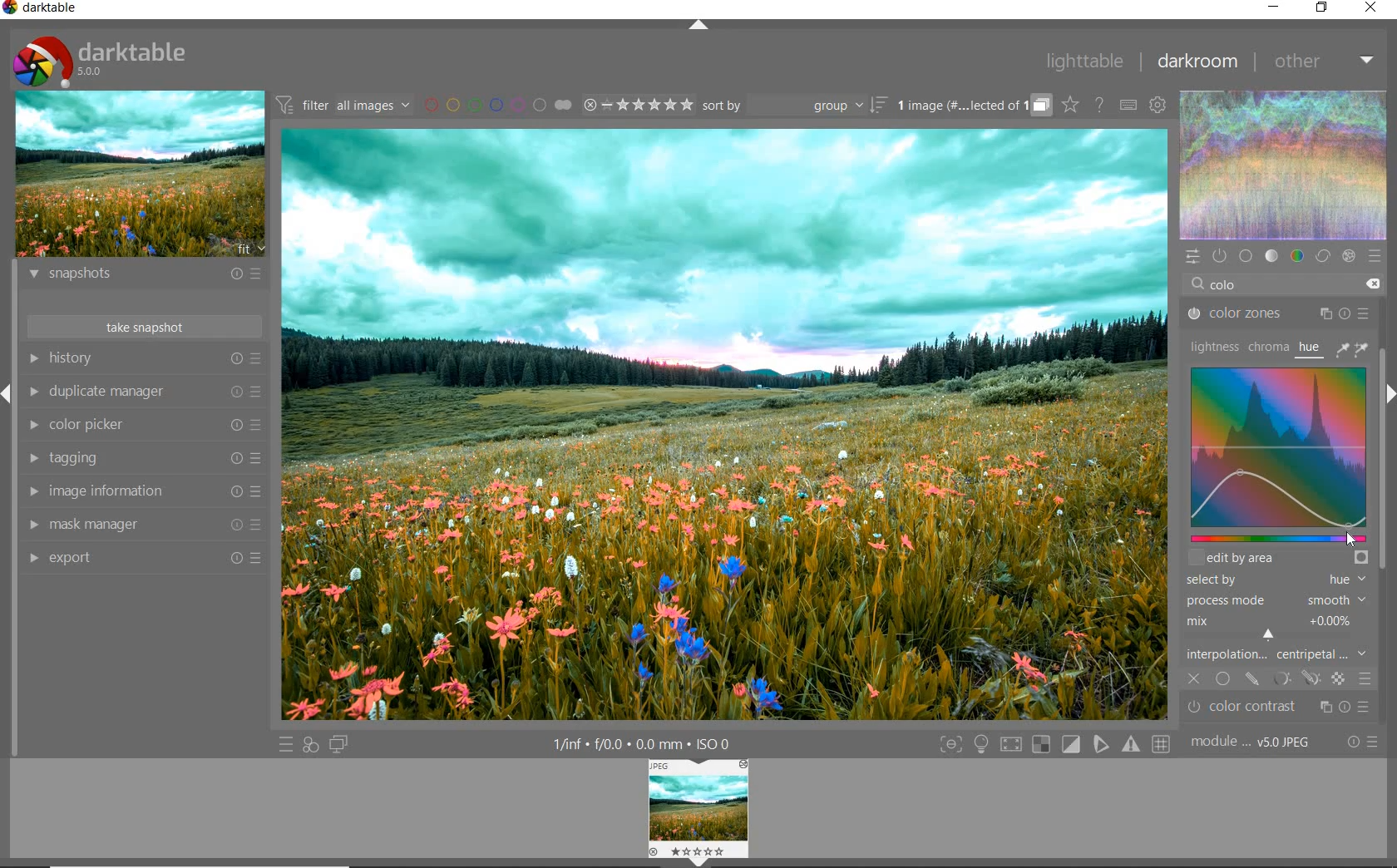 Image resolution: width=1397 pixels, height=868 pixels. I want to click on correct, so click(1322, 255).